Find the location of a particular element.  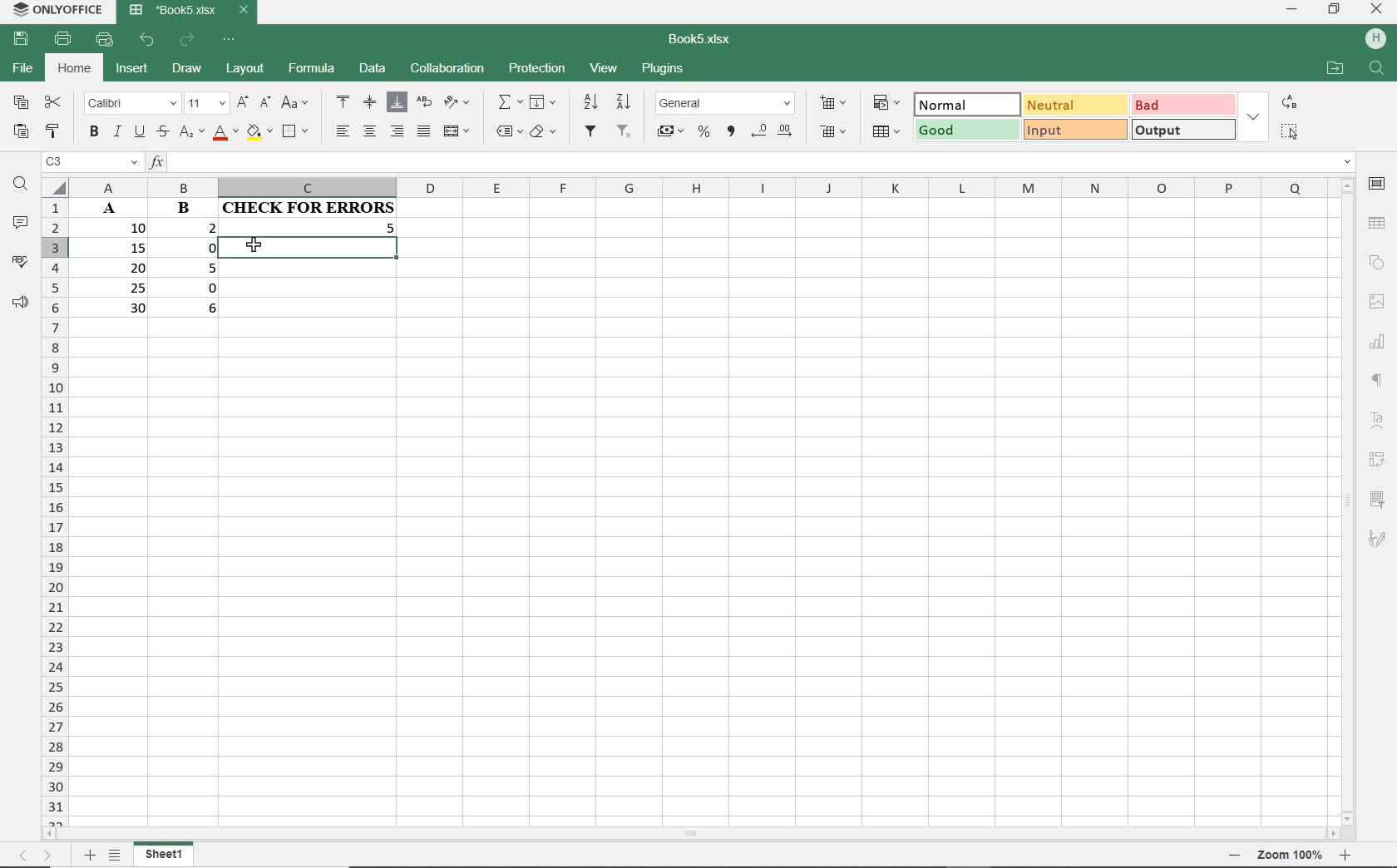

PLUGINS is located at coordinates (662, 71).